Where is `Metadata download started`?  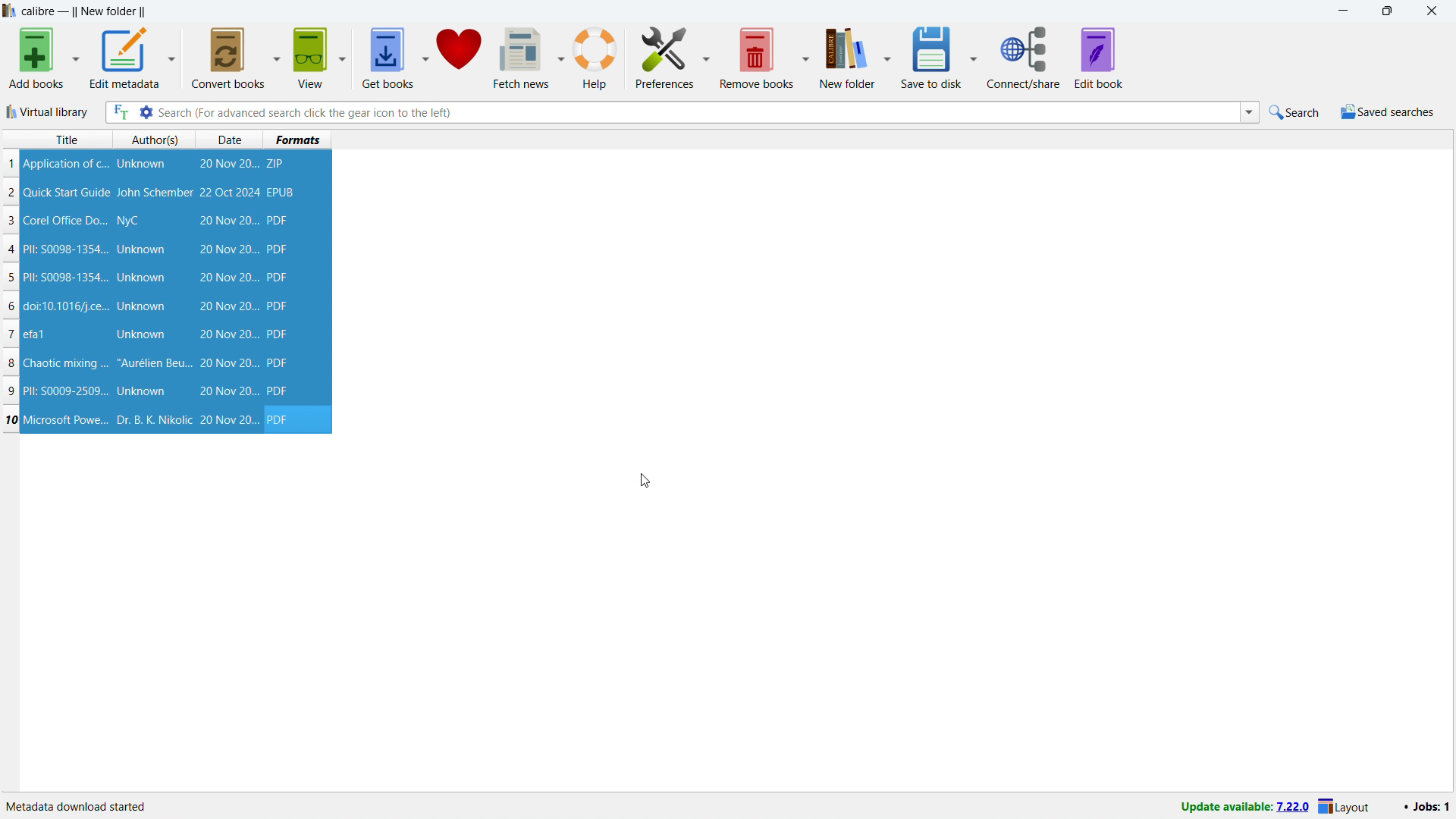 Metadata download started is located at coordinates (77, 804).